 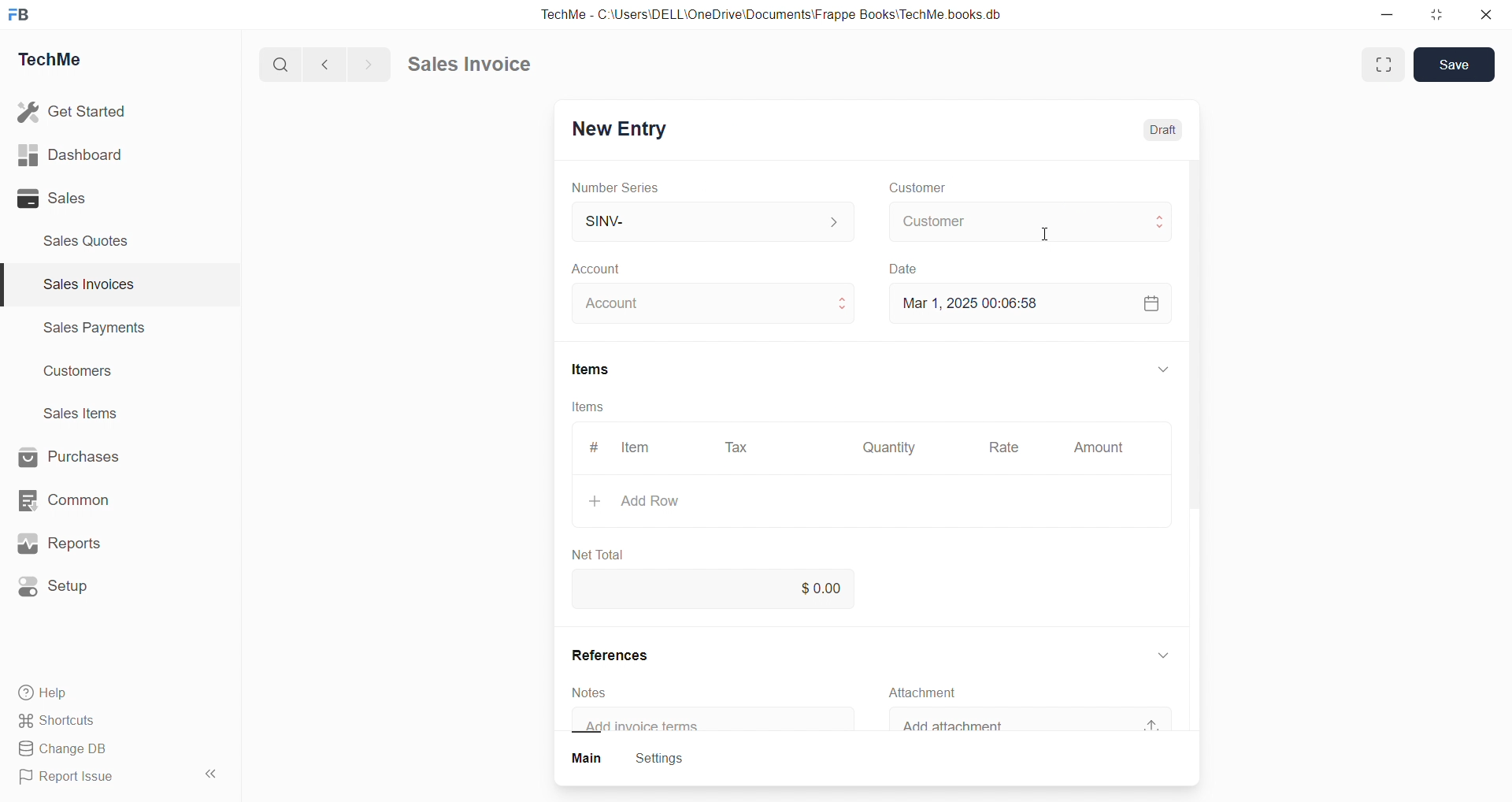 I want to click on  Help, so click(x=51, y=695).